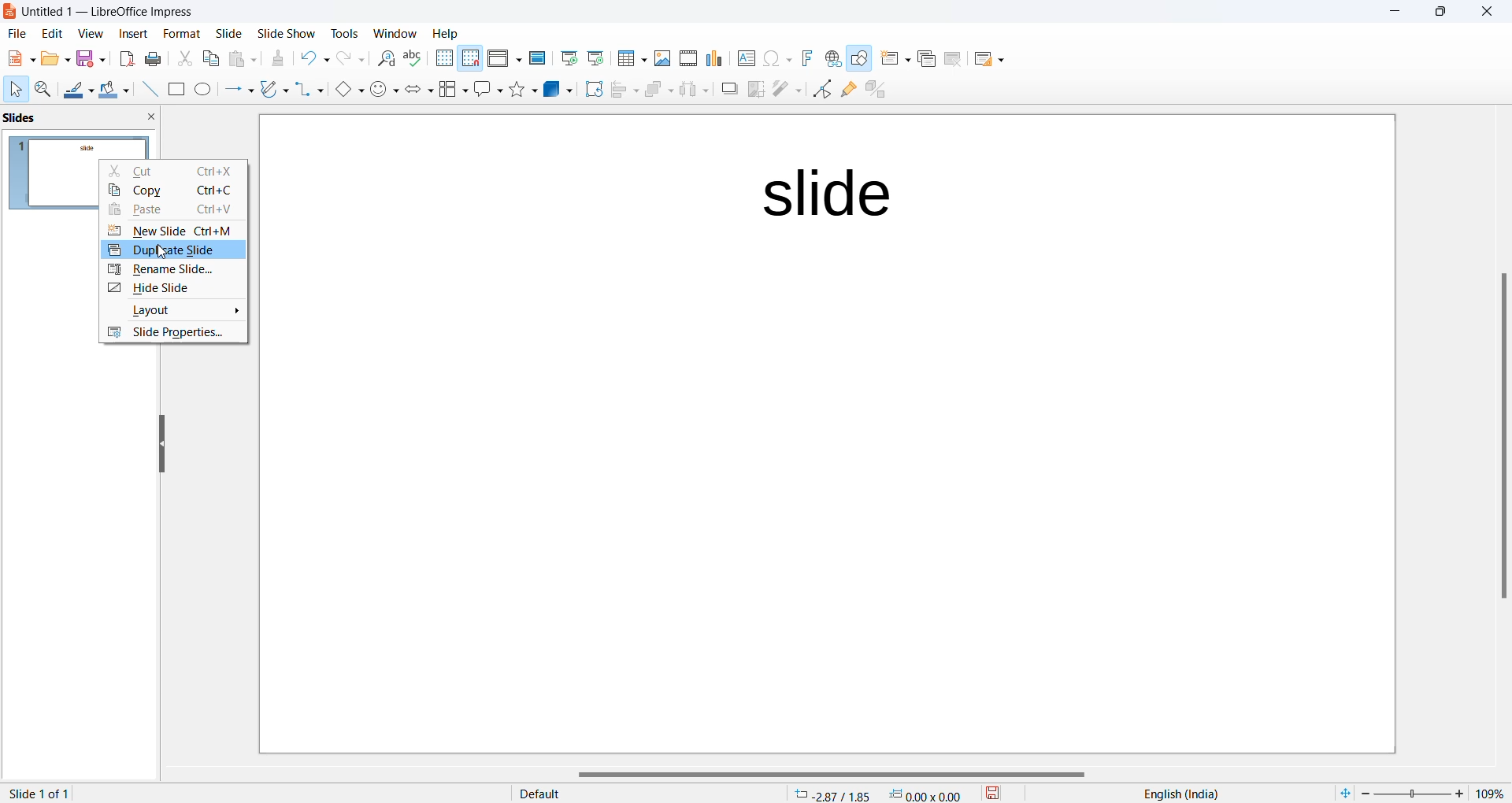  I want to click on Show draw function, so click(859, 60).